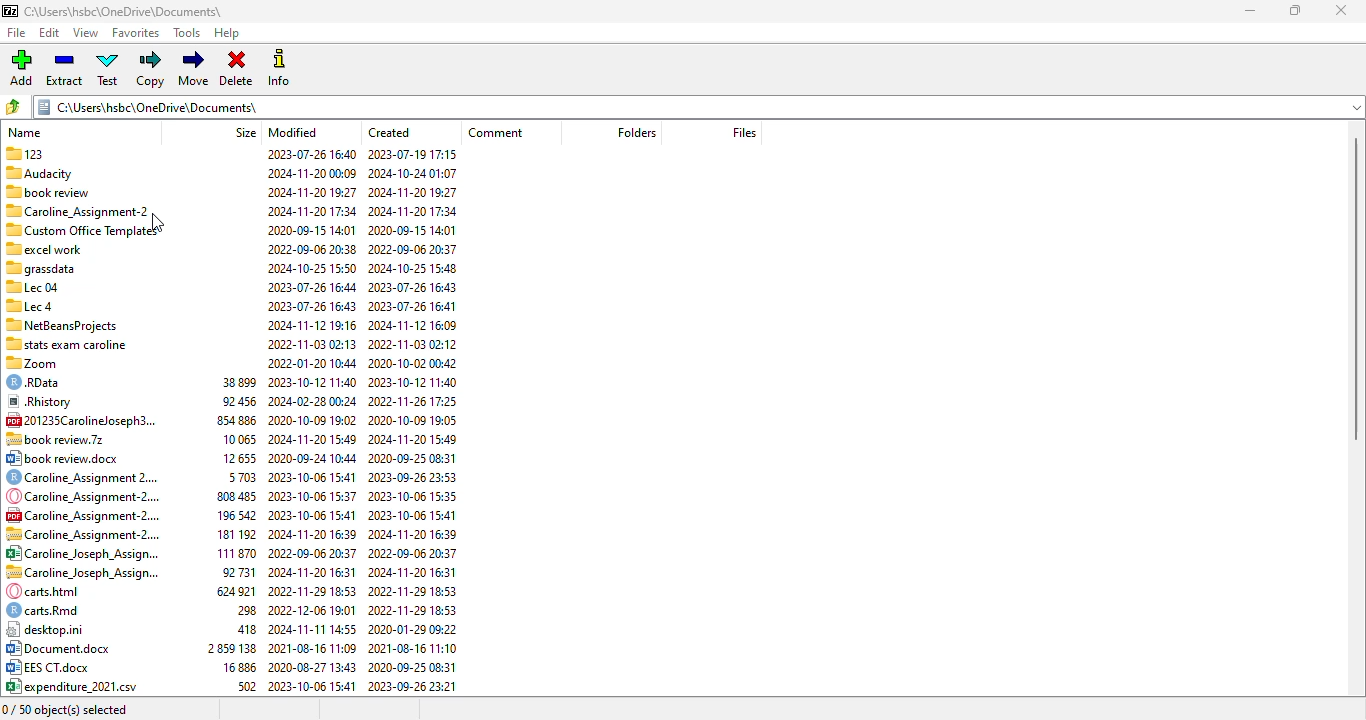 Image resolution: width=1366 pixels, height=720 pixels. What do you see at coordinates (235, 517) in the screenshot?
I see `196 542` at bounding box center [235, 517].